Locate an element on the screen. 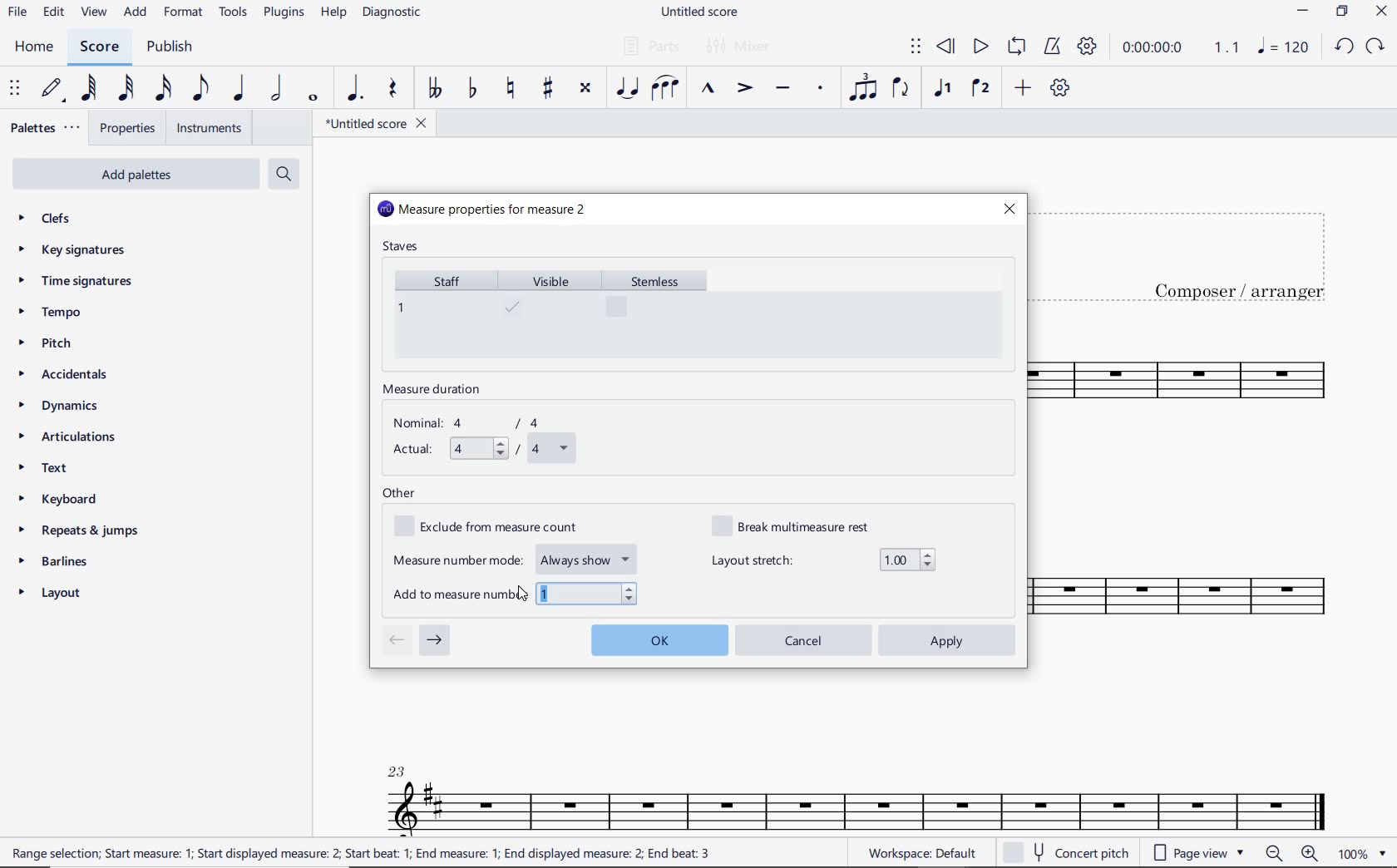 Image resolution: width=1397 pixels, height=868 pixels. REPEATS & JUMPS is located at coordinates (79, 533).